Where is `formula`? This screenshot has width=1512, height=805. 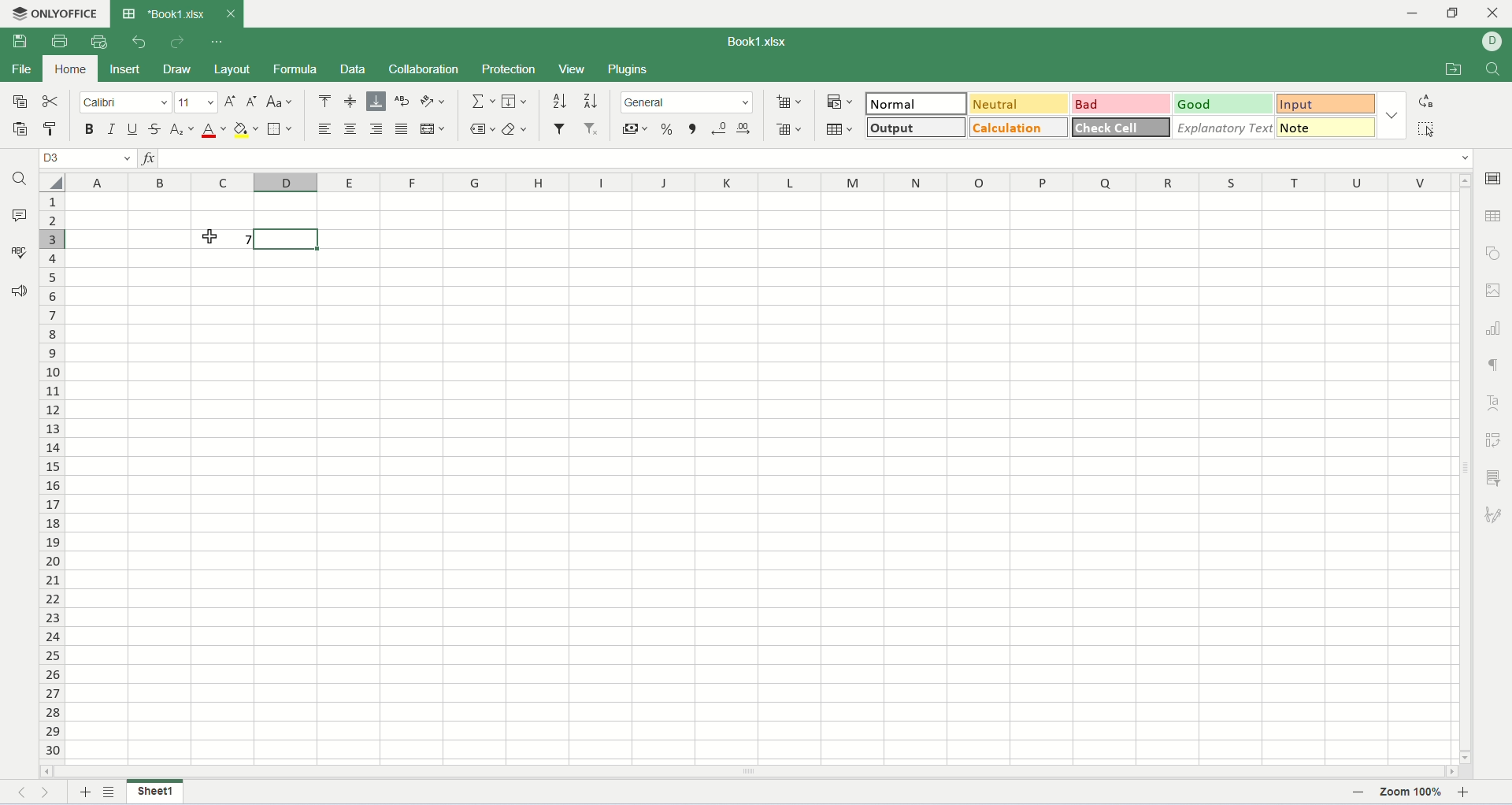
formula is located at coordinates (294, 69).